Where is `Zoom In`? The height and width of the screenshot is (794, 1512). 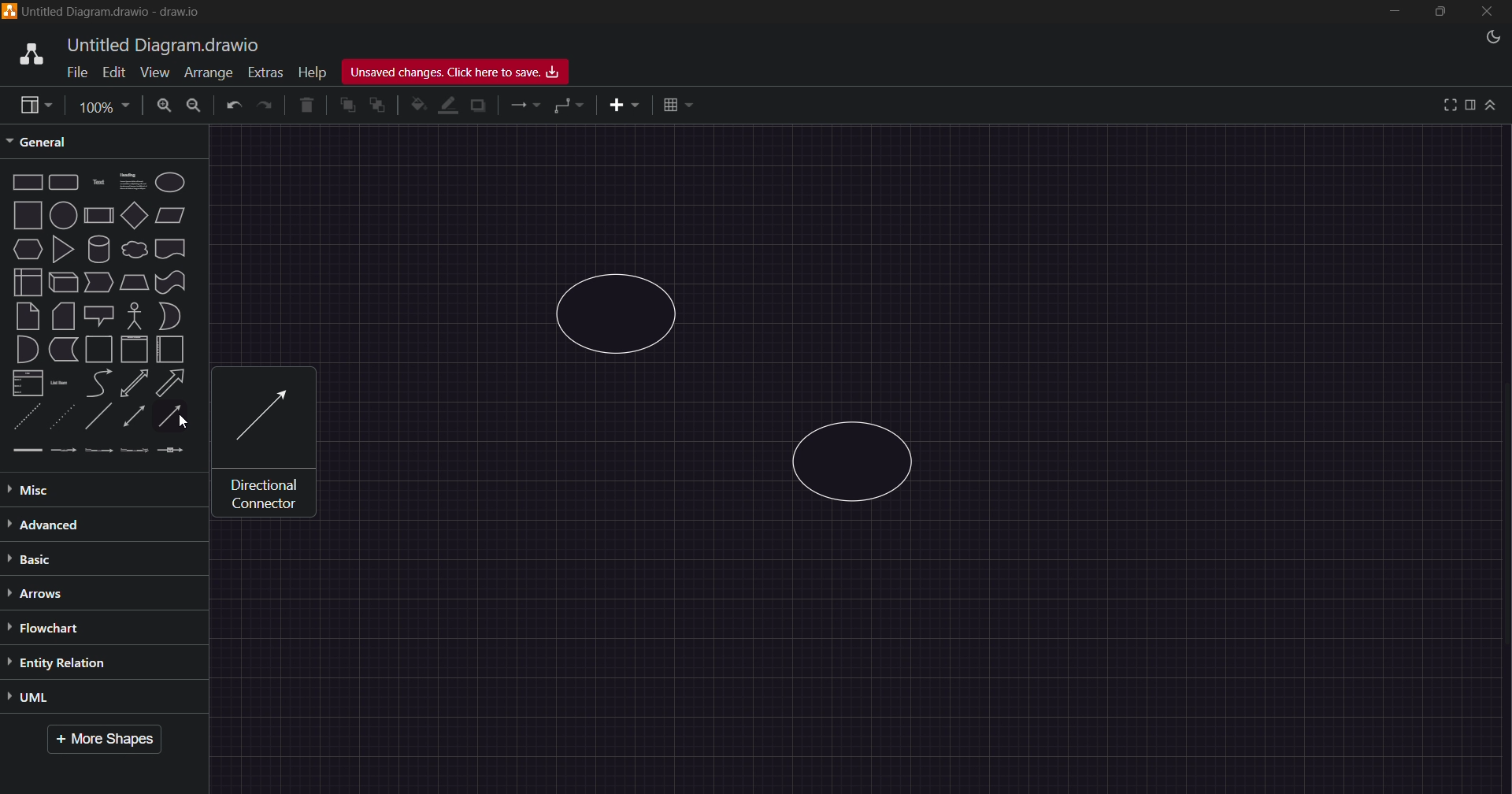
Zoom In is located at coordinates (165, 105).